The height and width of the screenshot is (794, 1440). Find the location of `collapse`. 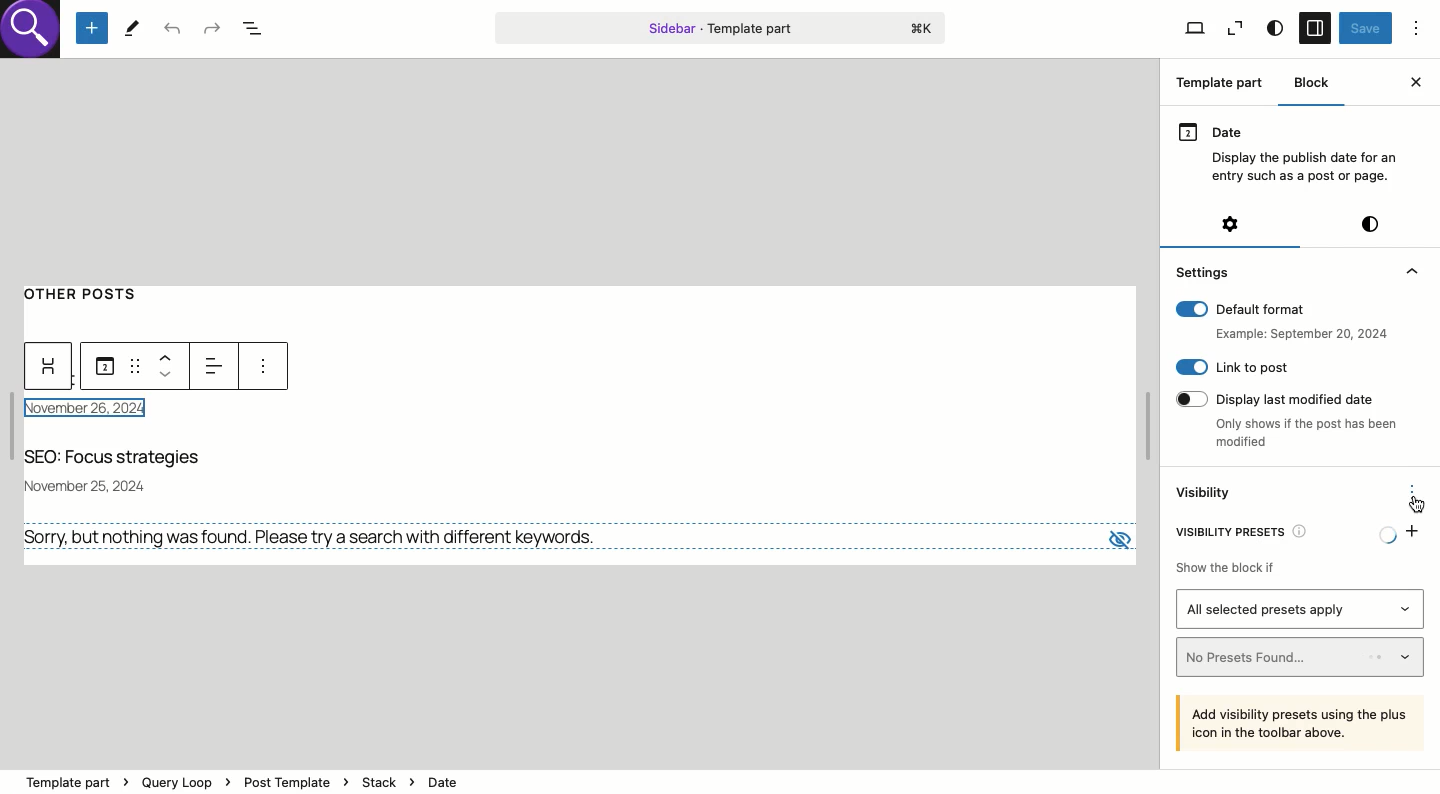

collapse is located at coordinates (1410, 271).